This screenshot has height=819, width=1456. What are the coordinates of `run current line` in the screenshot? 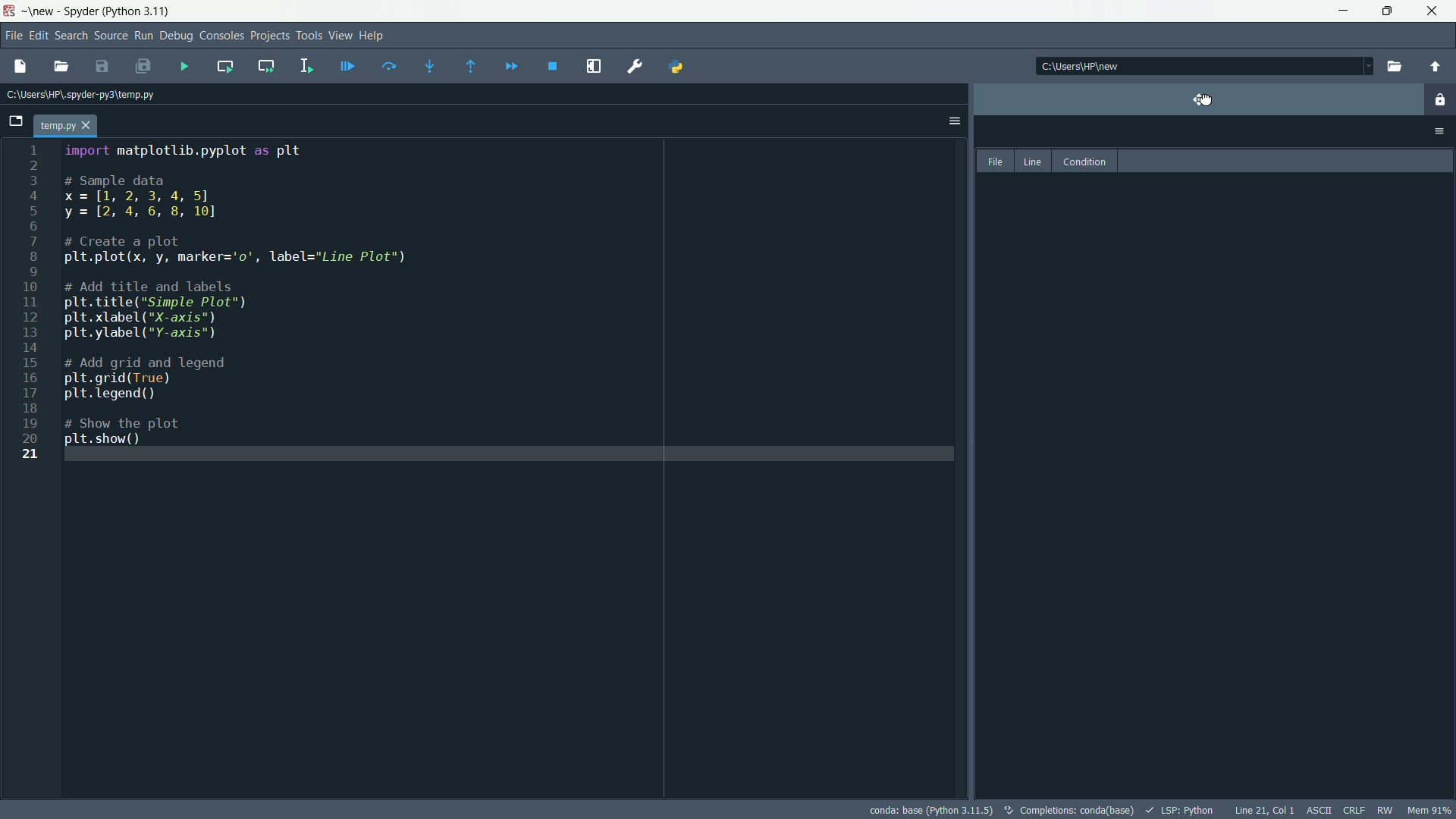 It's located at (386, 65).